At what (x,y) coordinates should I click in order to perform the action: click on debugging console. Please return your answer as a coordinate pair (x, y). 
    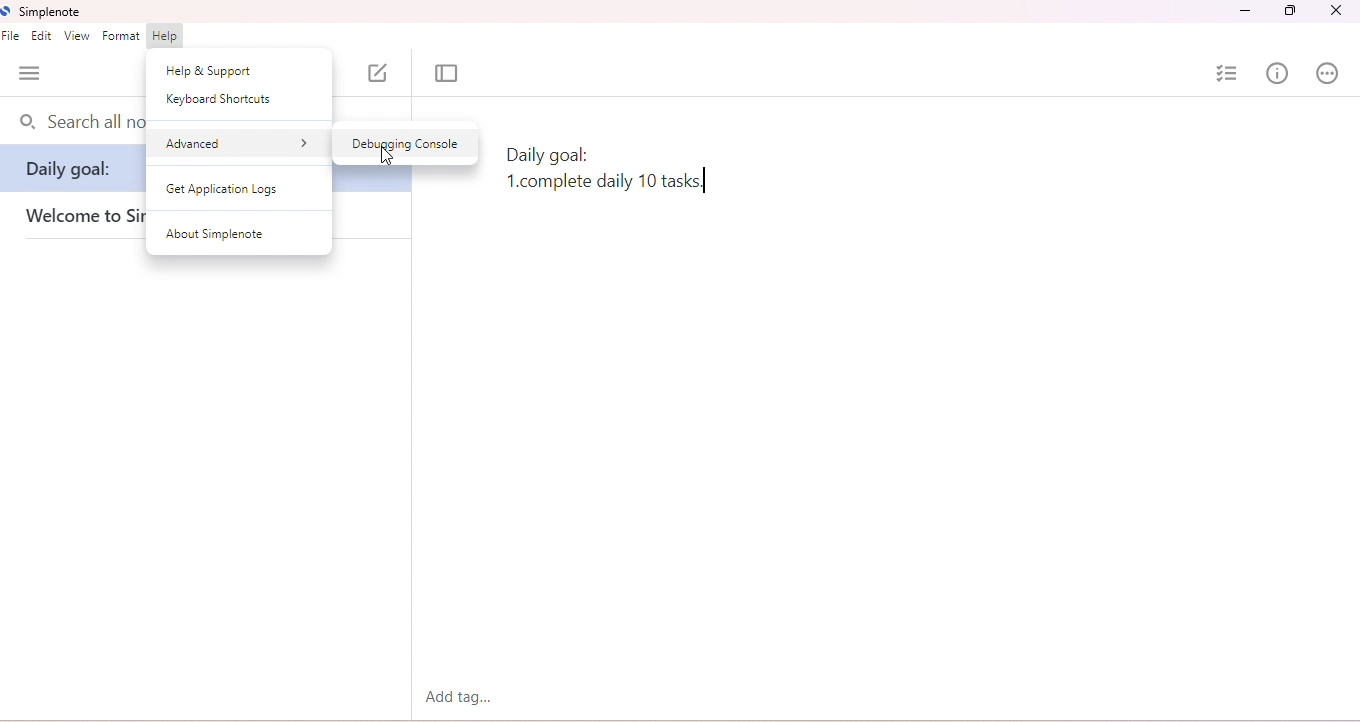
    Looking at the image, I should click on (405, 144).